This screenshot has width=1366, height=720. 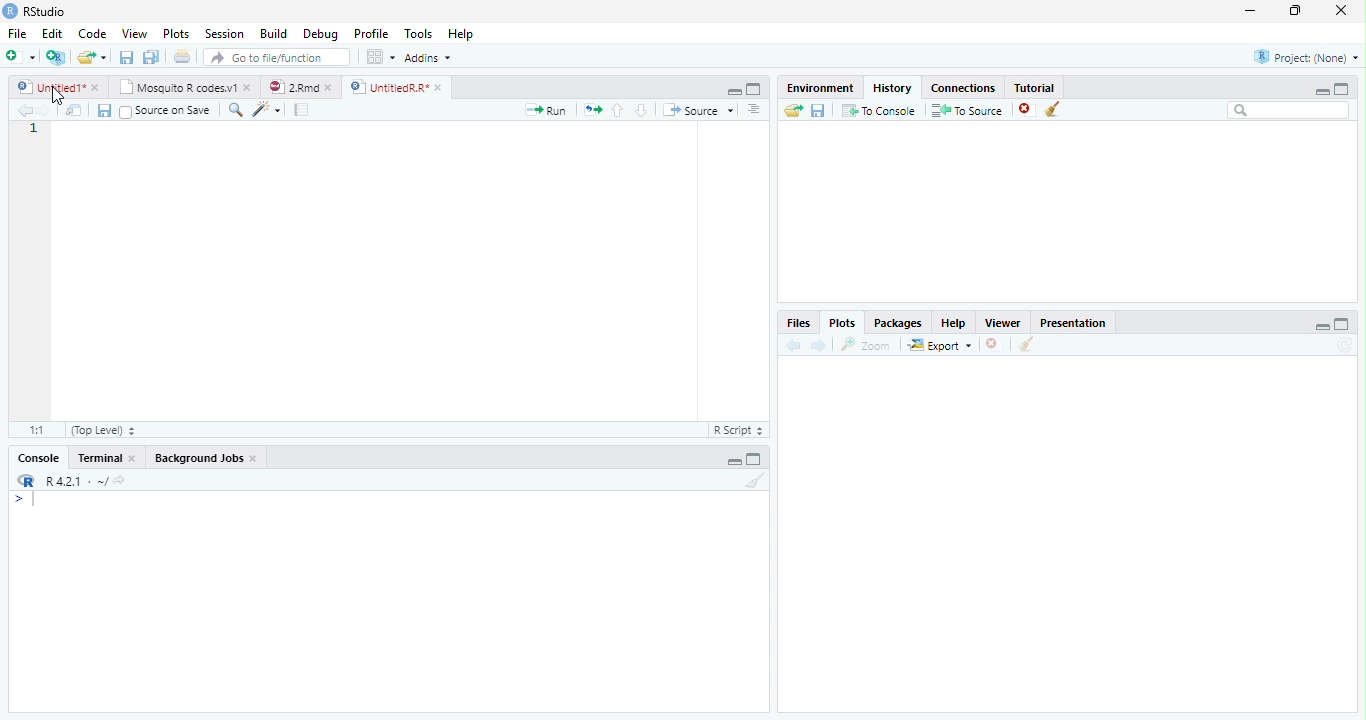 What do you see at coordinates (940, 345) in the screenshot?
I see `Export` at bounding box center [940, 345].